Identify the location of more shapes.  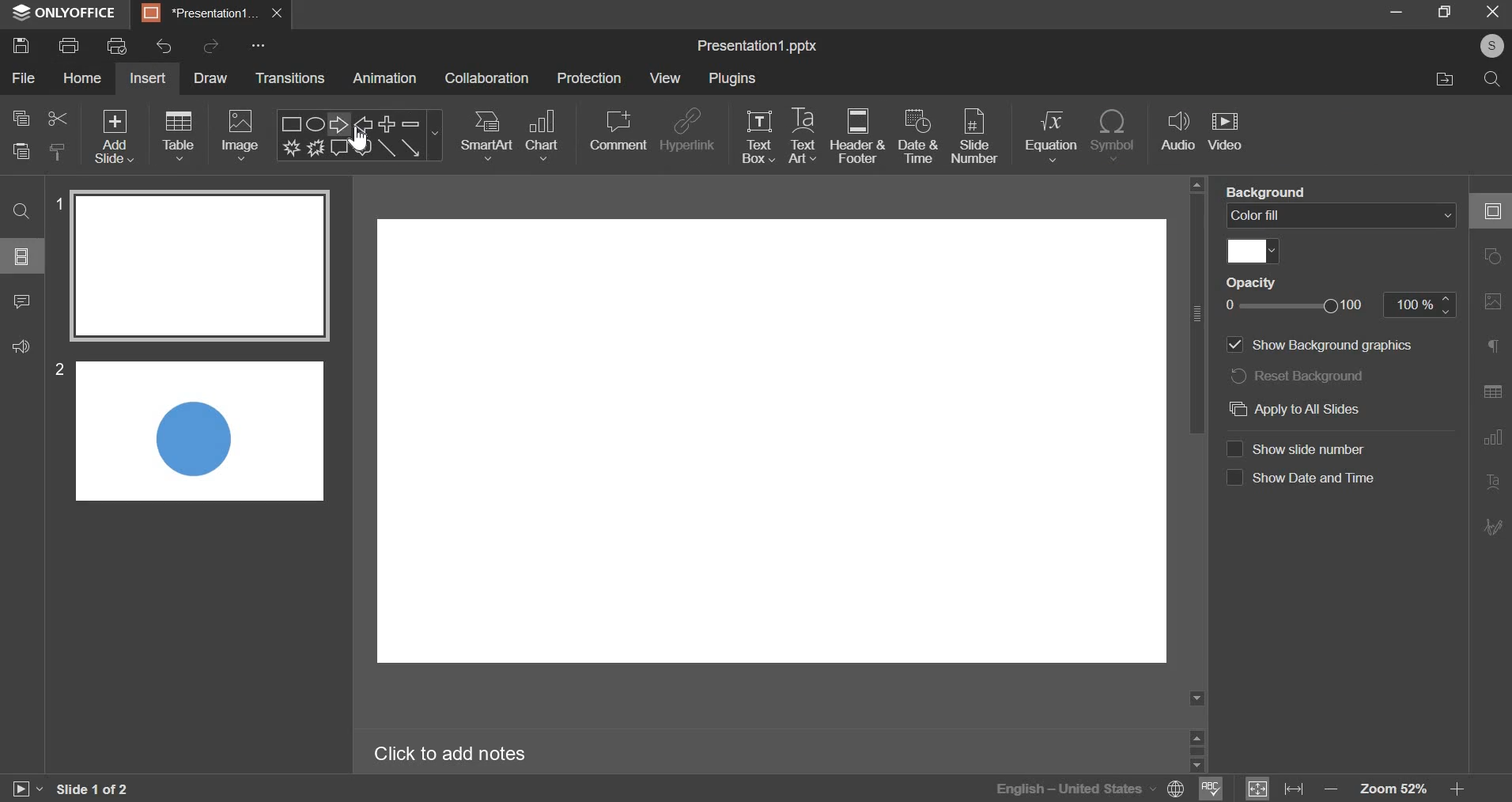
(436, 133).